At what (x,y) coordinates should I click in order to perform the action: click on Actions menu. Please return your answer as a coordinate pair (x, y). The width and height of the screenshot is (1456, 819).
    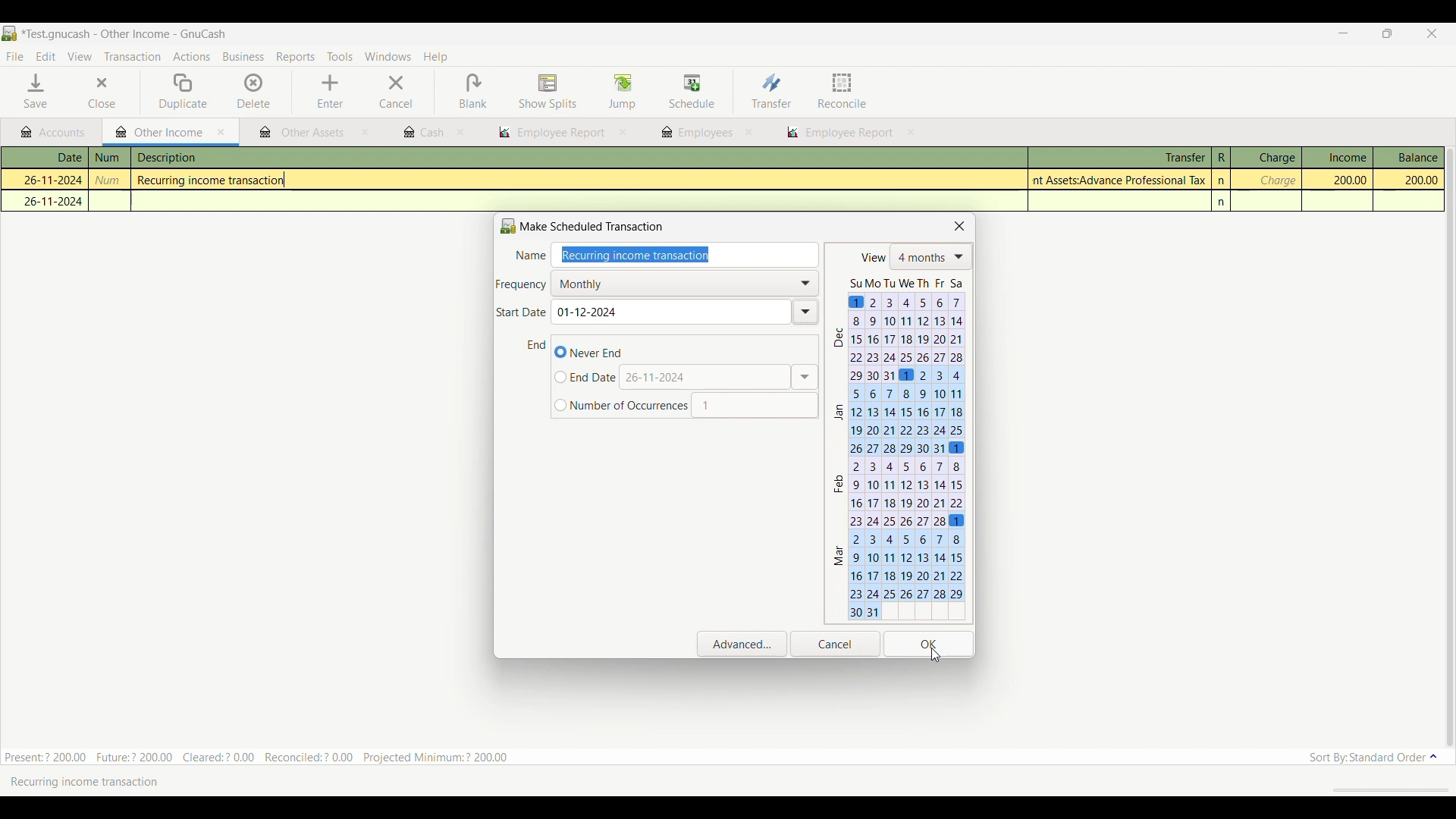
    Looking at the image, I should click on (191, 58).